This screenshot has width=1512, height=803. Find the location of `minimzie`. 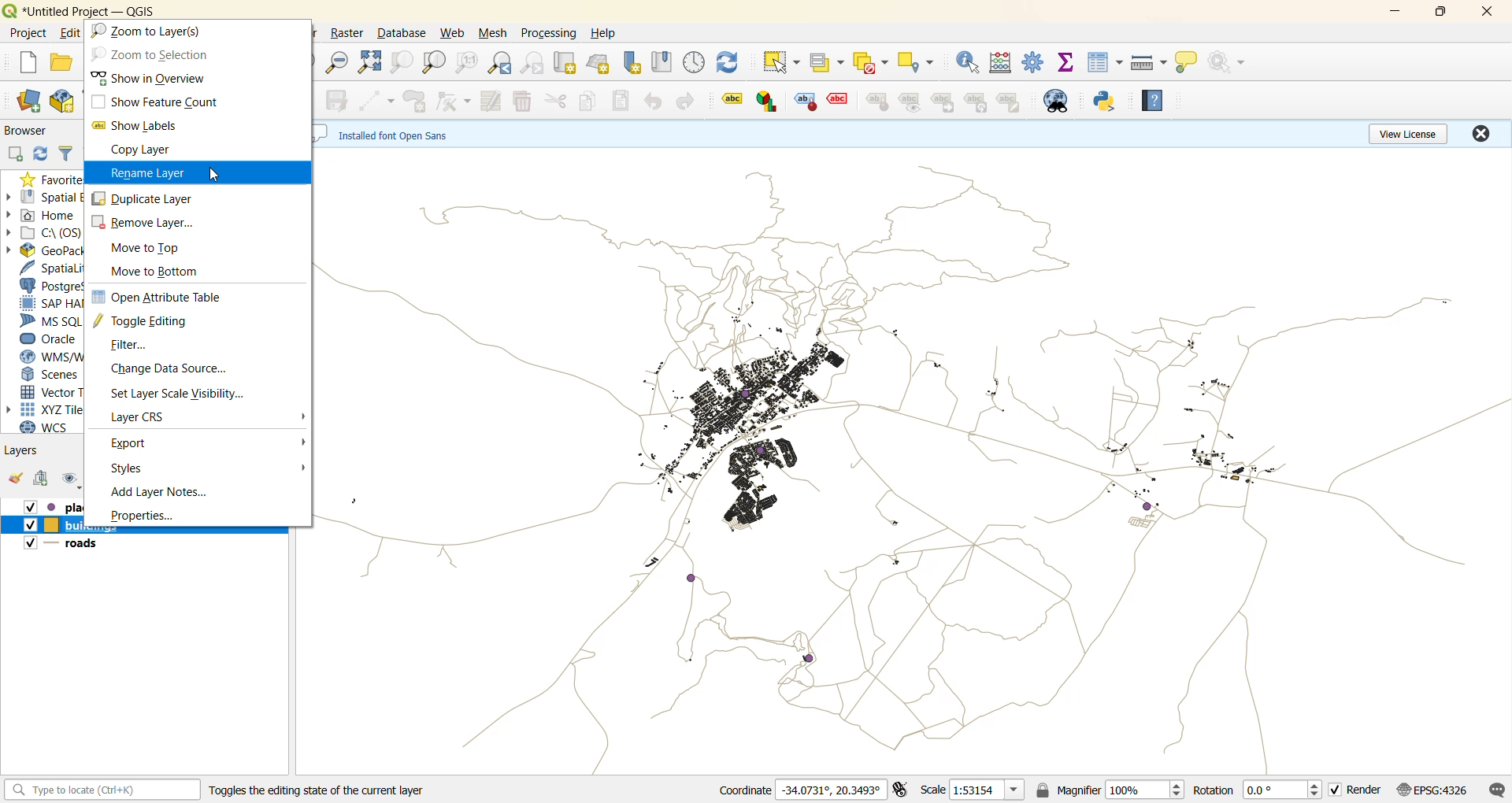

minimzie is located at coordinates (1393, 13).